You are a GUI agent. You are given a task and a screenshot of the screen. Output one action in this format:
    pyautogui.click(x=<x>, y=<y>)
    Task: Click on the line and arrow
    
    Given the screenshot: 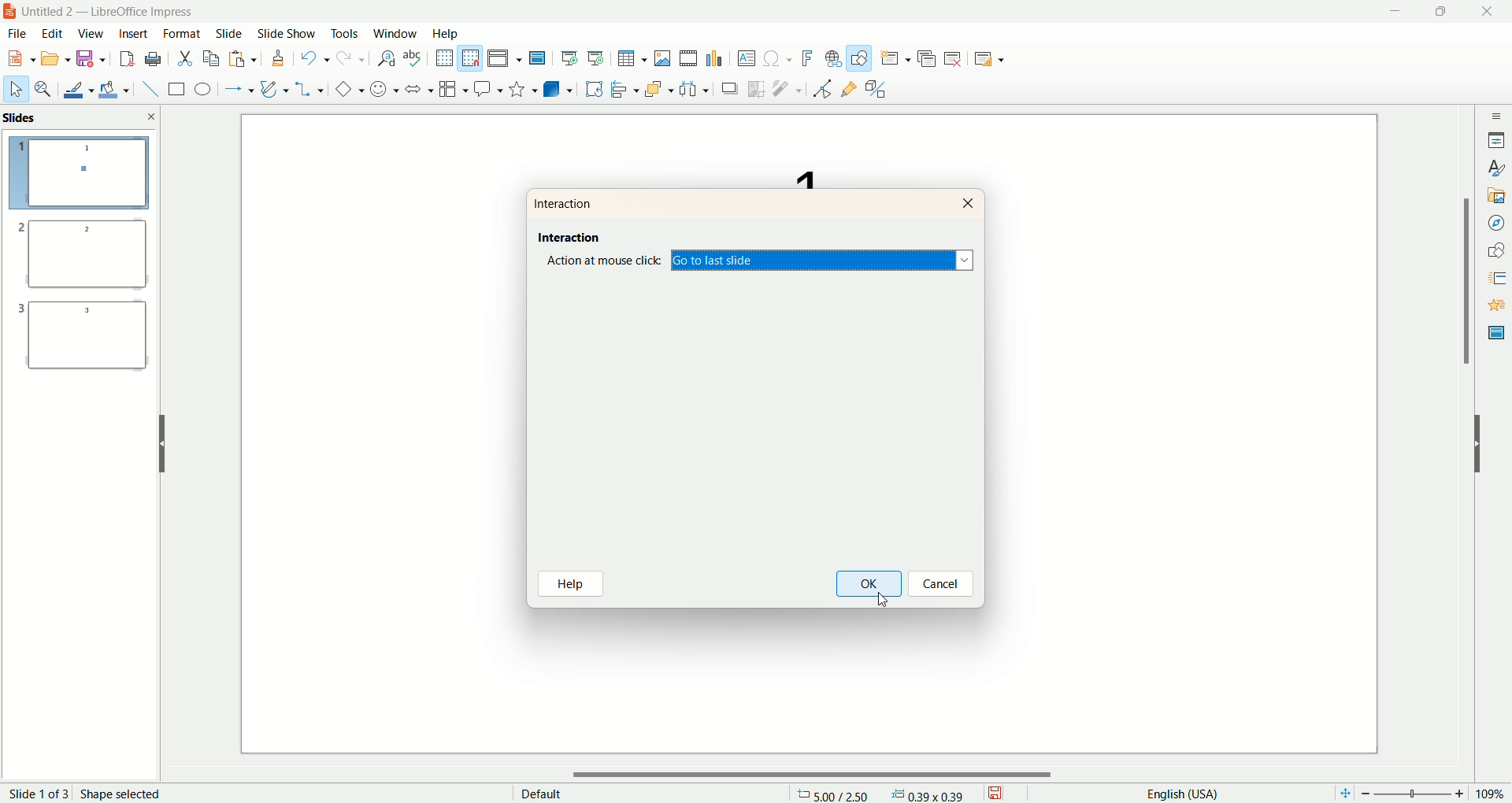 What is the action you would take?
    pyautogui.click(x=237, y=90)
    